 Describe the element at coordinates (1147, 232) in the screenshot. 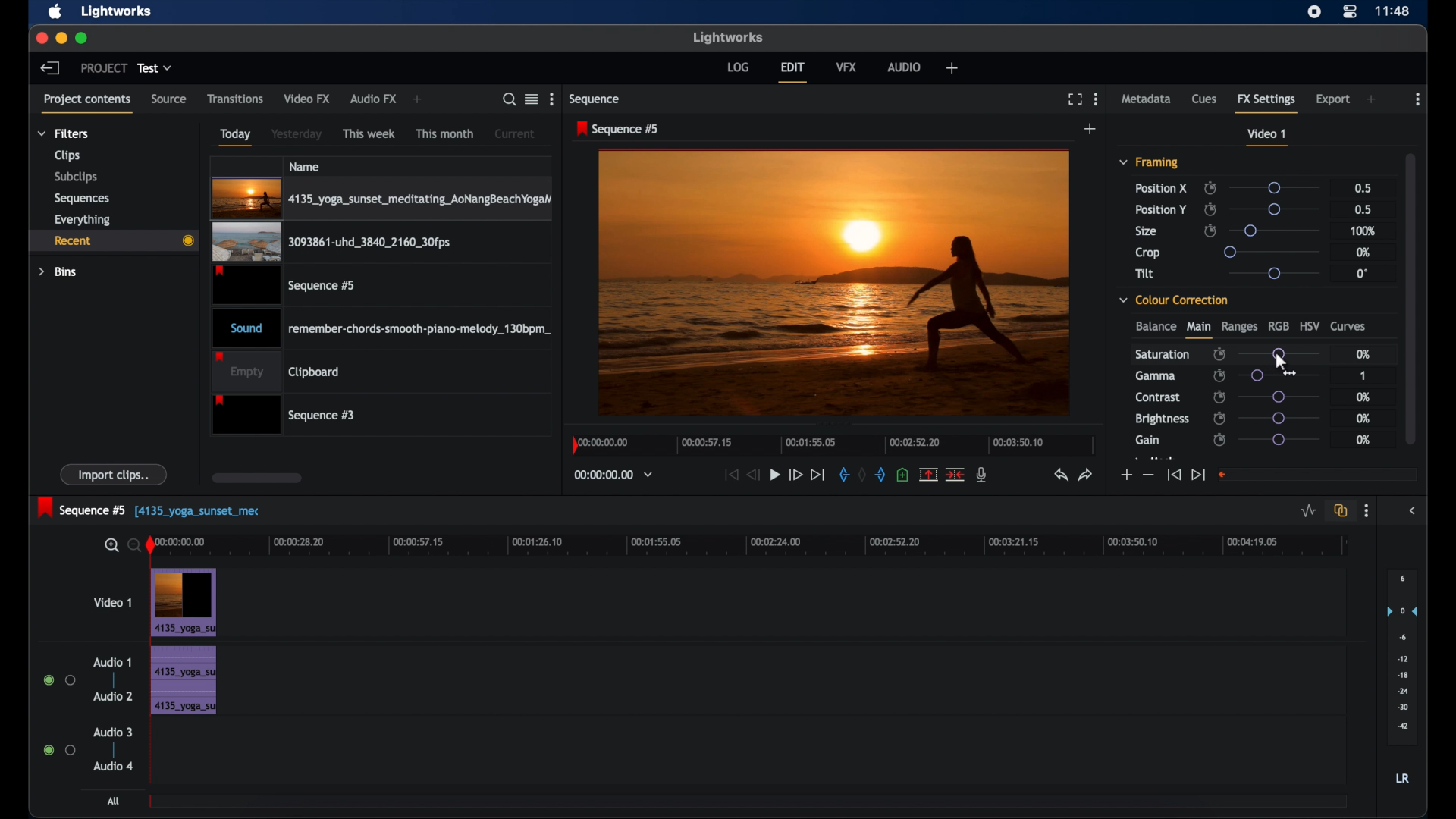

I see `size` at that location.